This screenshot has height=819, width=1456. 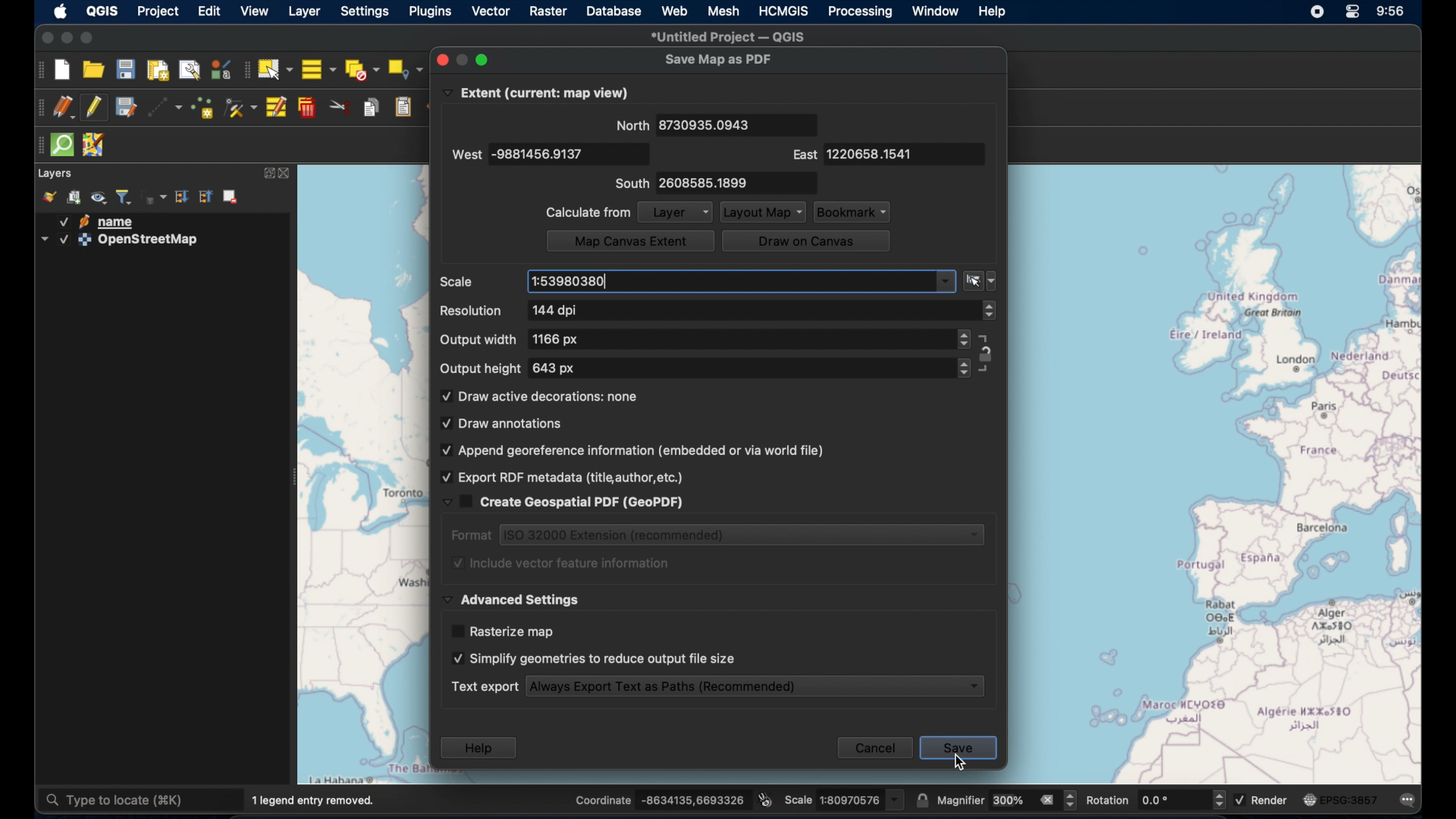 What do you see at coordinates (478, 748) in the screenshot?
I see `help ` at bounding box center [478, 748].